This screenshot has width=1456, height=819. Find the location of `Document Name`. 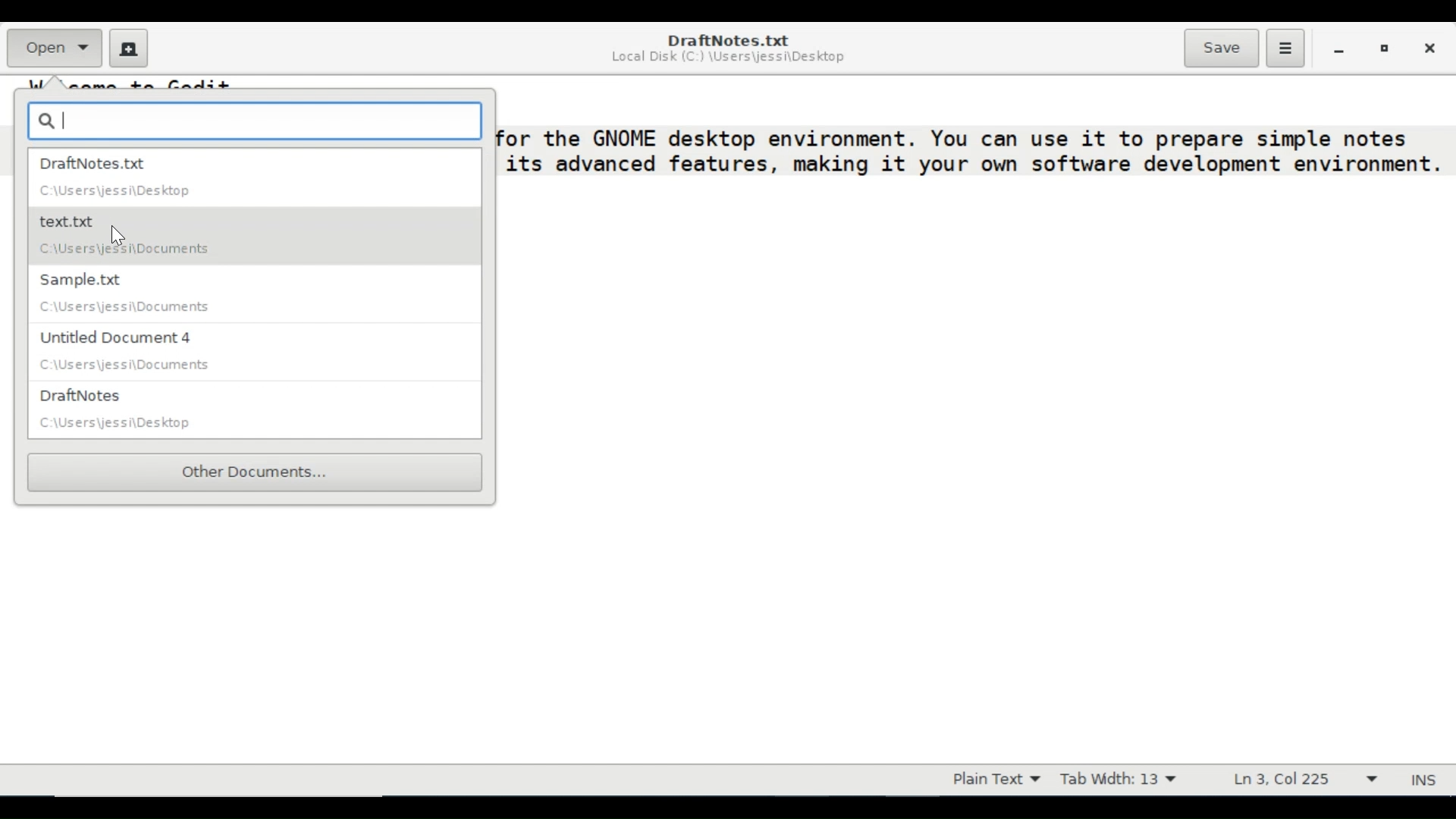

Document Name is located at coordinates (726, 40).